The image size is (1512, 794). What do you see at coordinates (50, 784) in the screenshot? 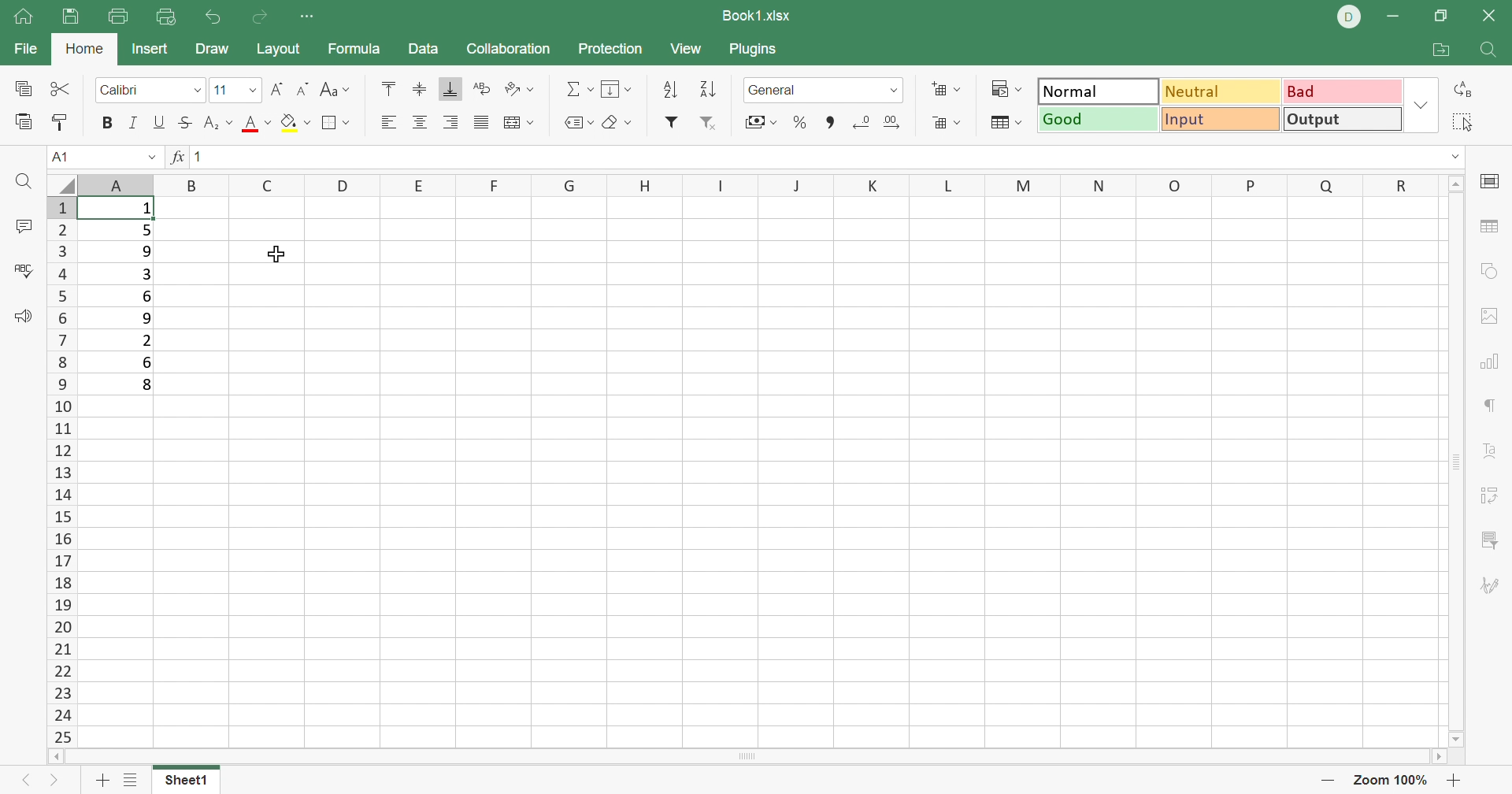
I see `Next` at bounding box center [50, 784].